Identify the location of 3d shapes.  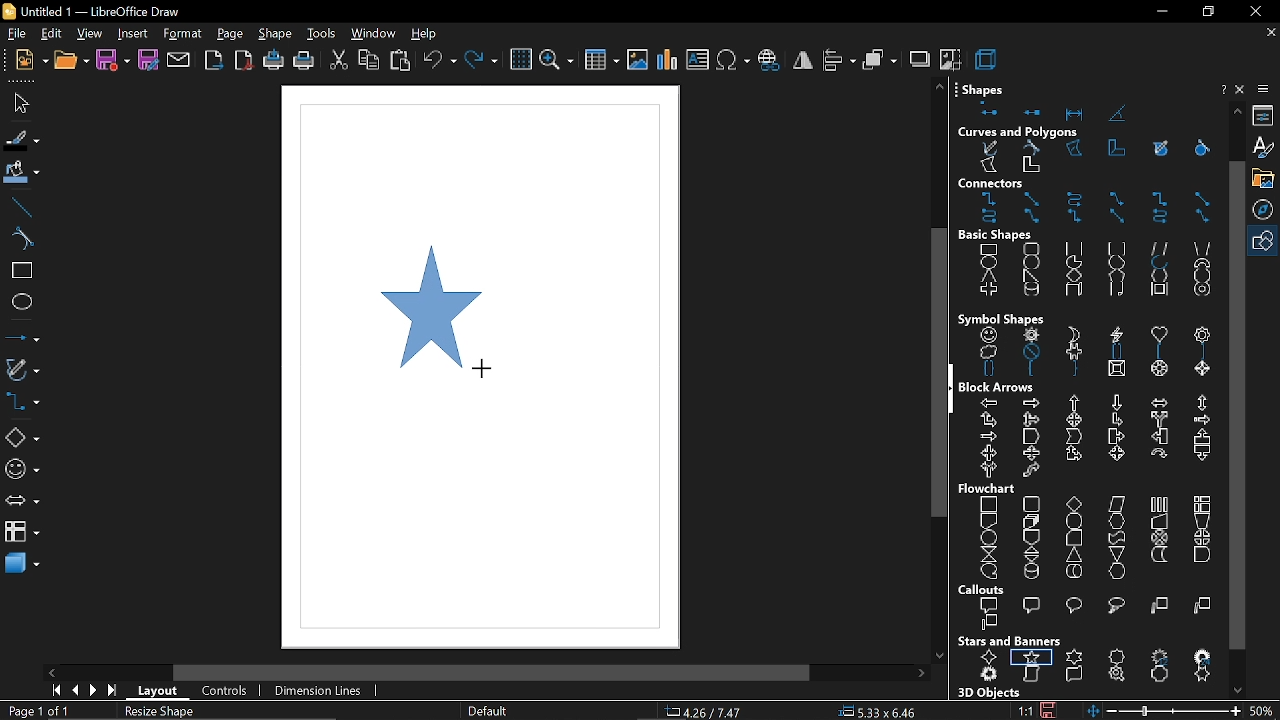
(22, 565).